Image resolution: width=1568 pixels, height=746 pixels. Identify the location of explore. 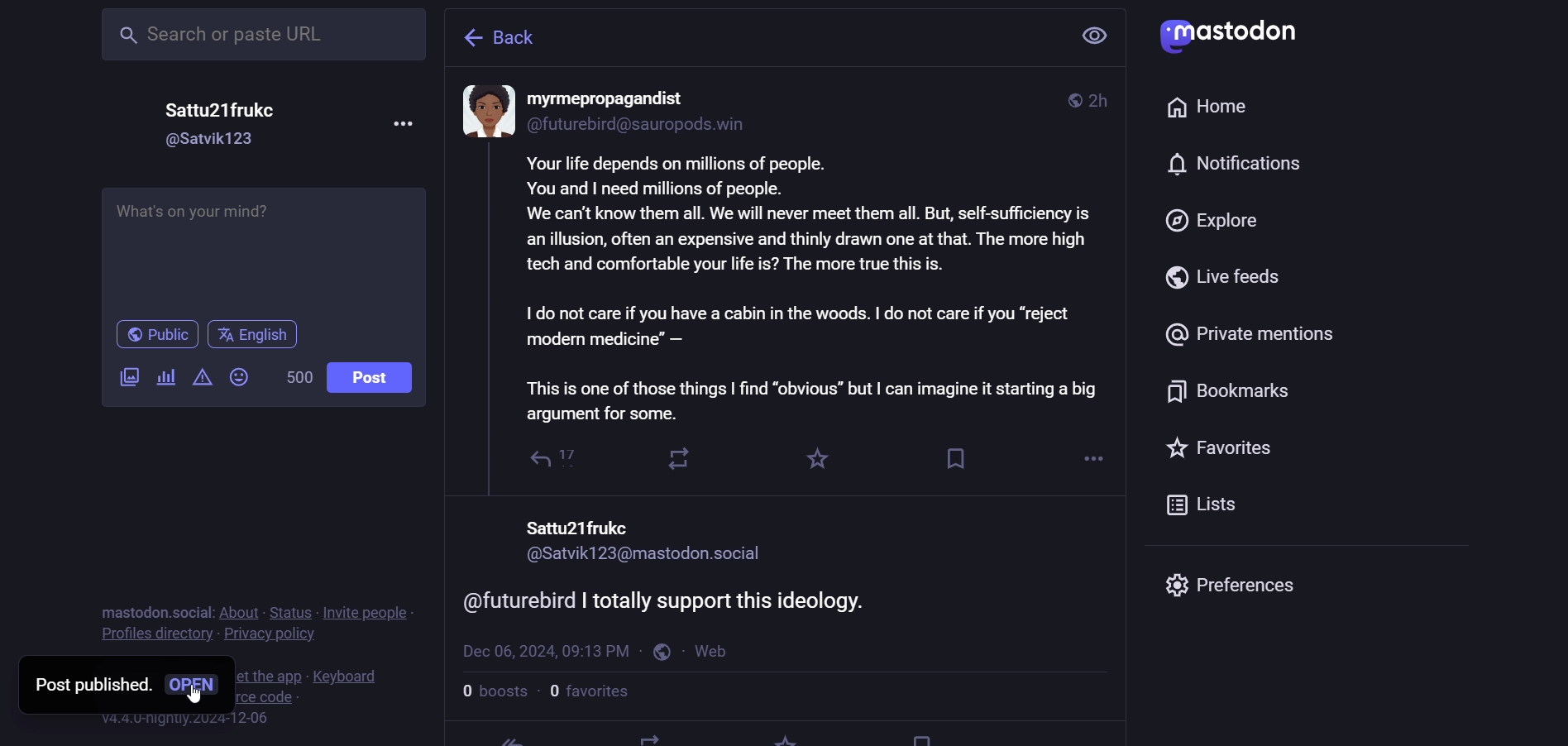
(1212, 222).